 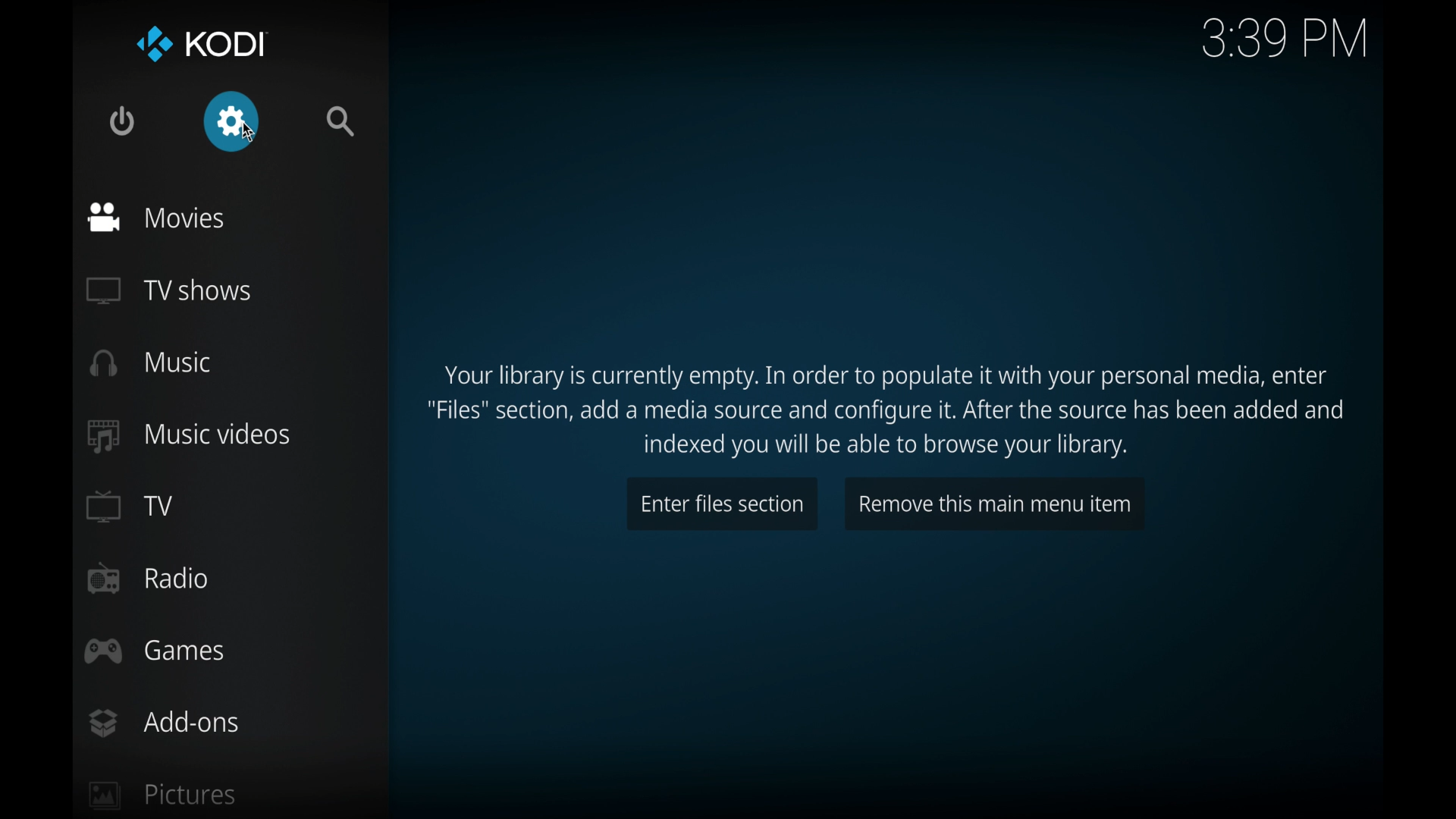 What do you see at coordinates (232, 121) in the screenshot?
I see `settings` at bounding box center [232, 121].